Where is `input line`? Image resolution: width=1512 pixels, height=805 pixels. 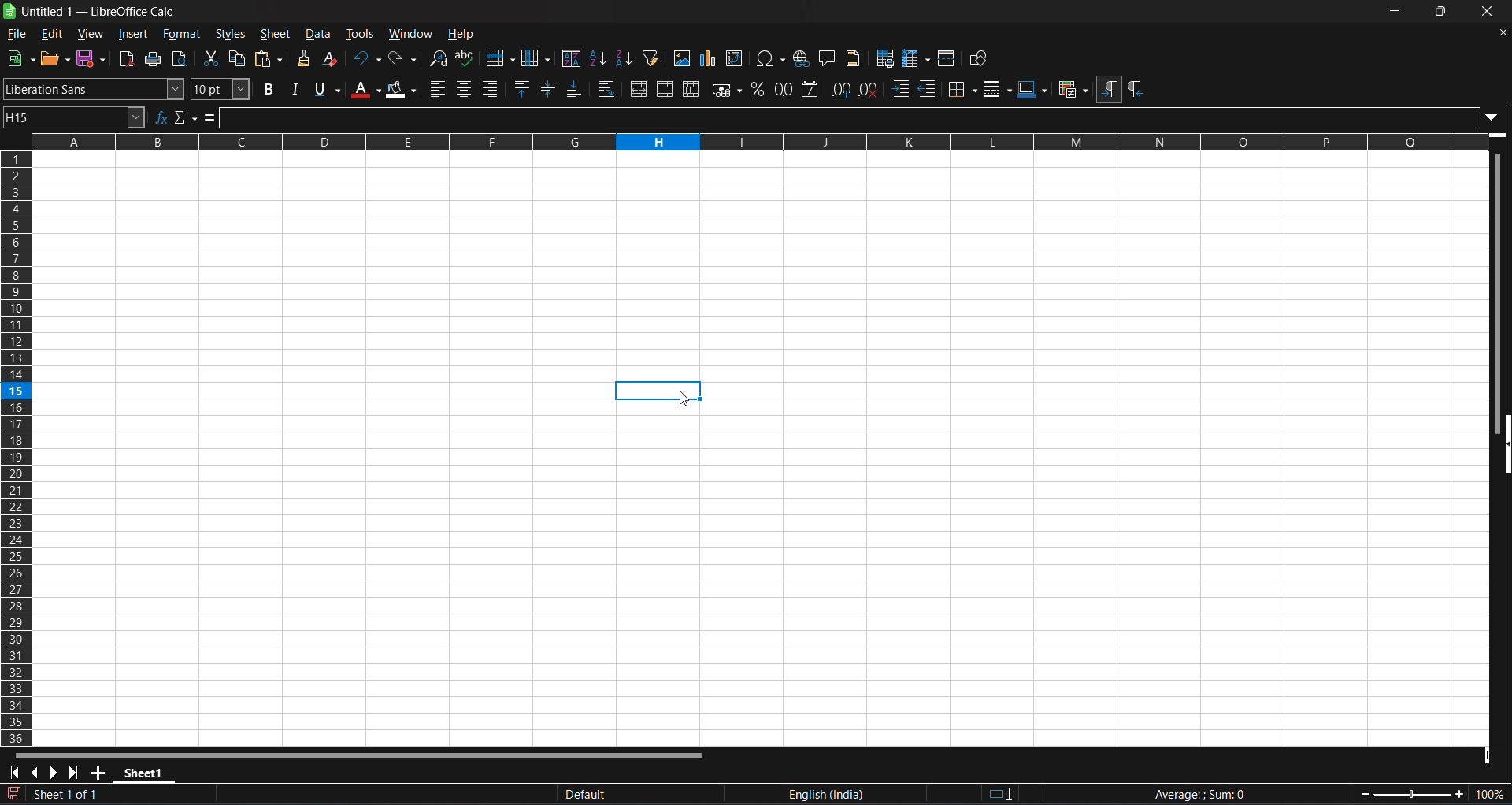 input line is located at coordinates (858, 117).